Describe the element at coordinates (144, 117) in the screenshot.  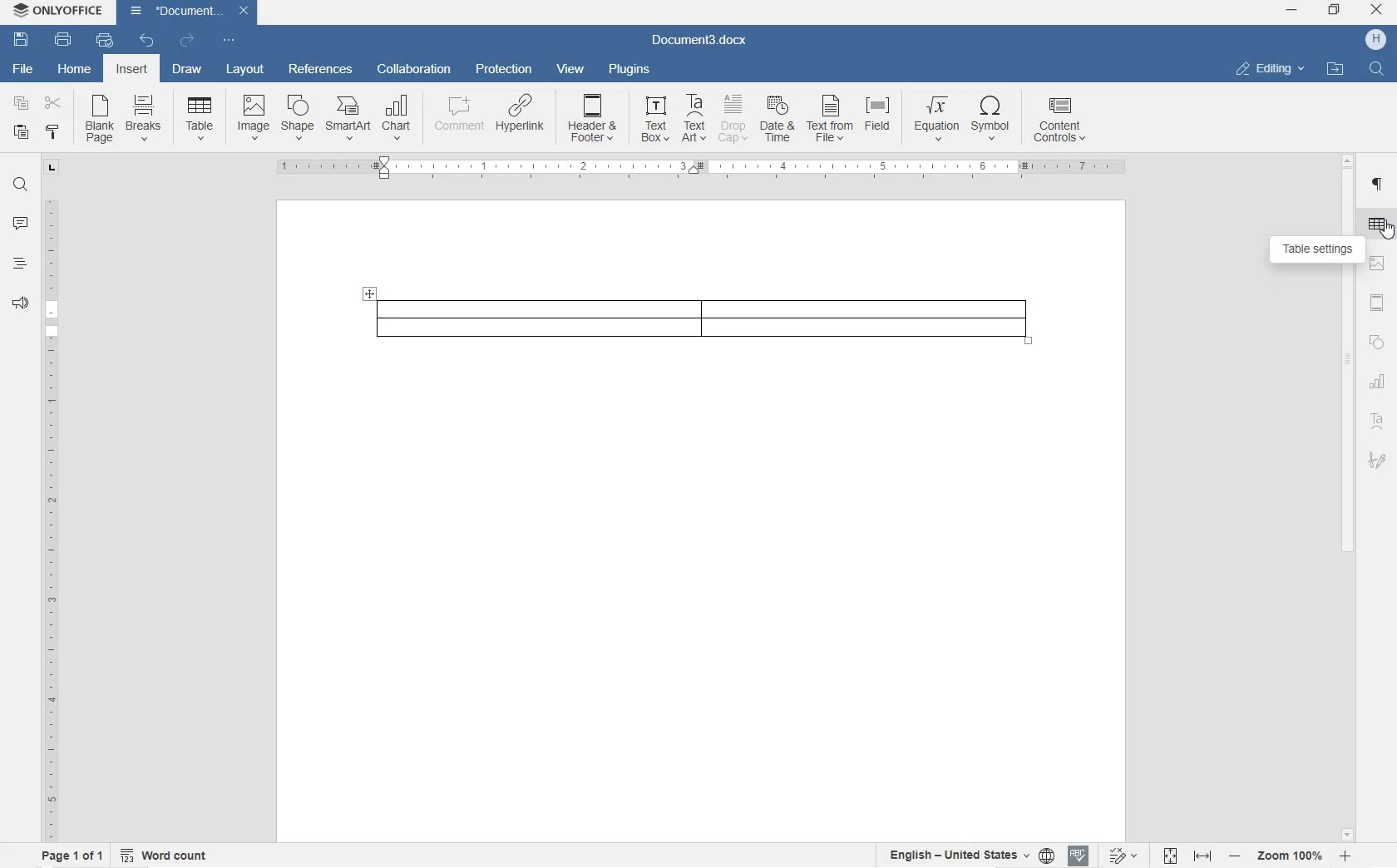
I see `Breaks` at that location.